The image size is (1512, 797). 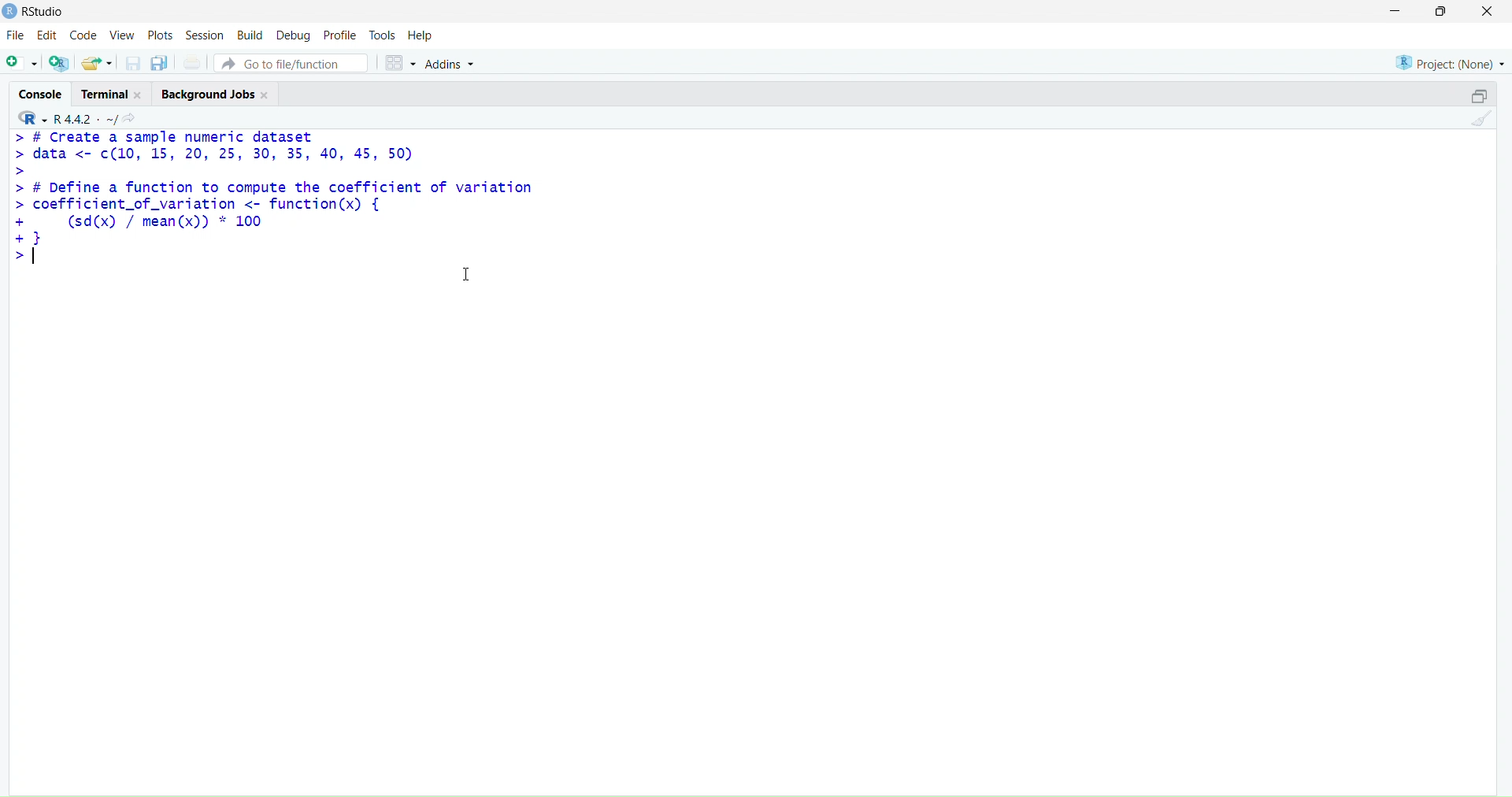 What do you see at coordinates (466, 273) in the screenshot?
I see `cursor` at bounding box center [466, 273].